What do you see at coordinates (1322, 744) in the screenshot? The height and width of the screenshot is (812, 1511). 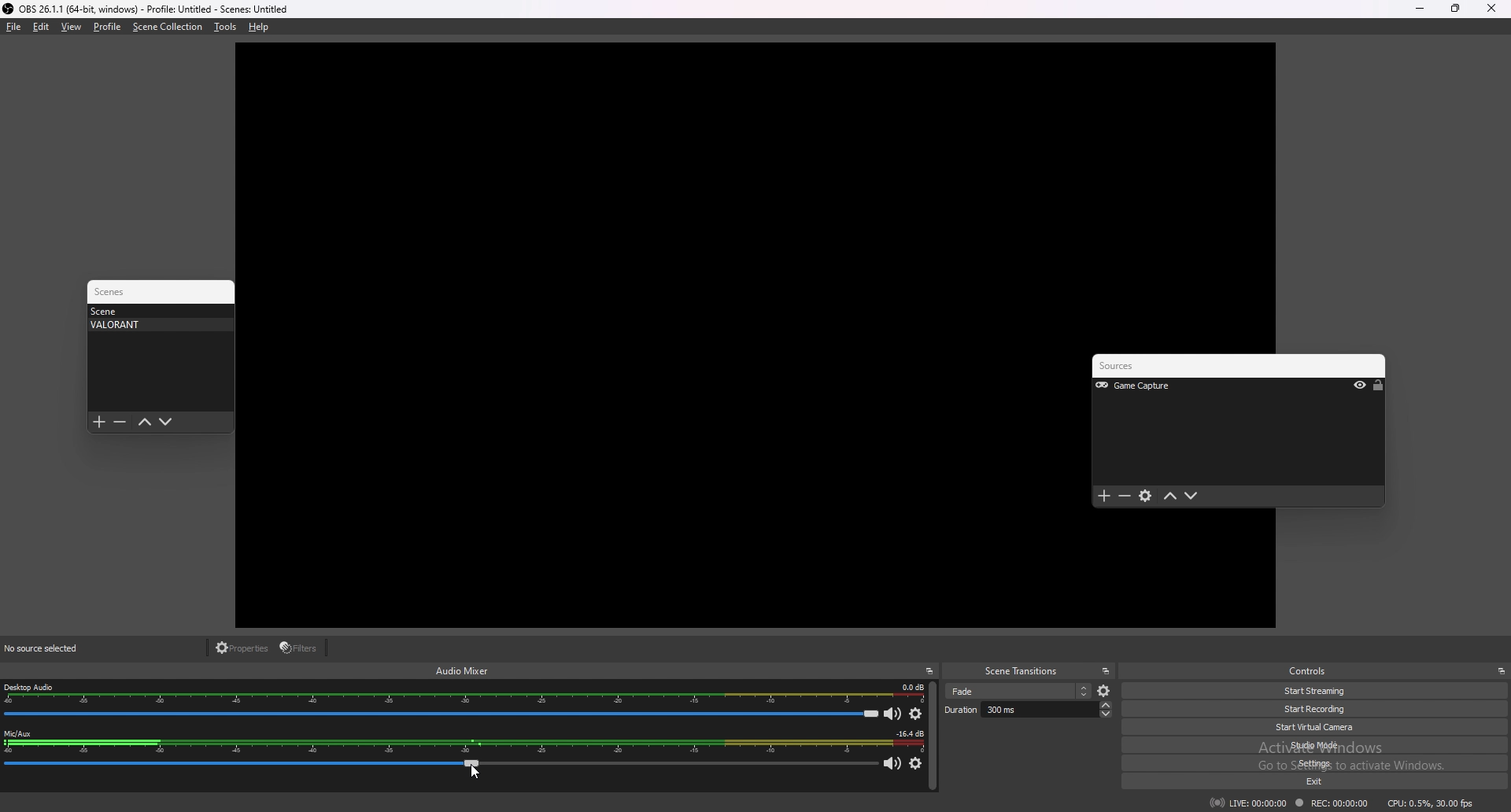 I see `studio mode` at bounding box center [1322, 744].